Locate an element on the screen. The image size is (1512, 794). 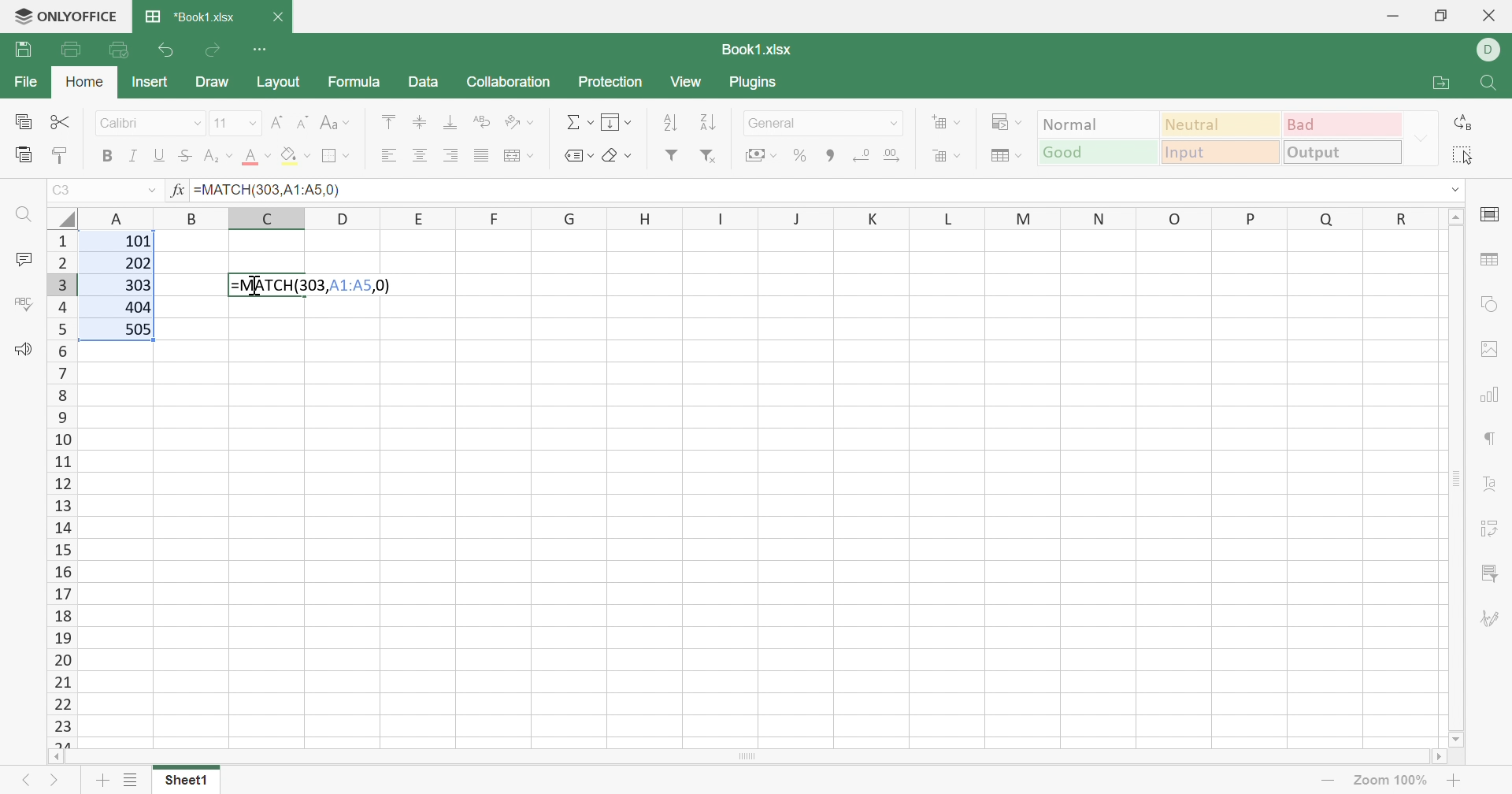
Align Middle is located at coordinates (418, 123).